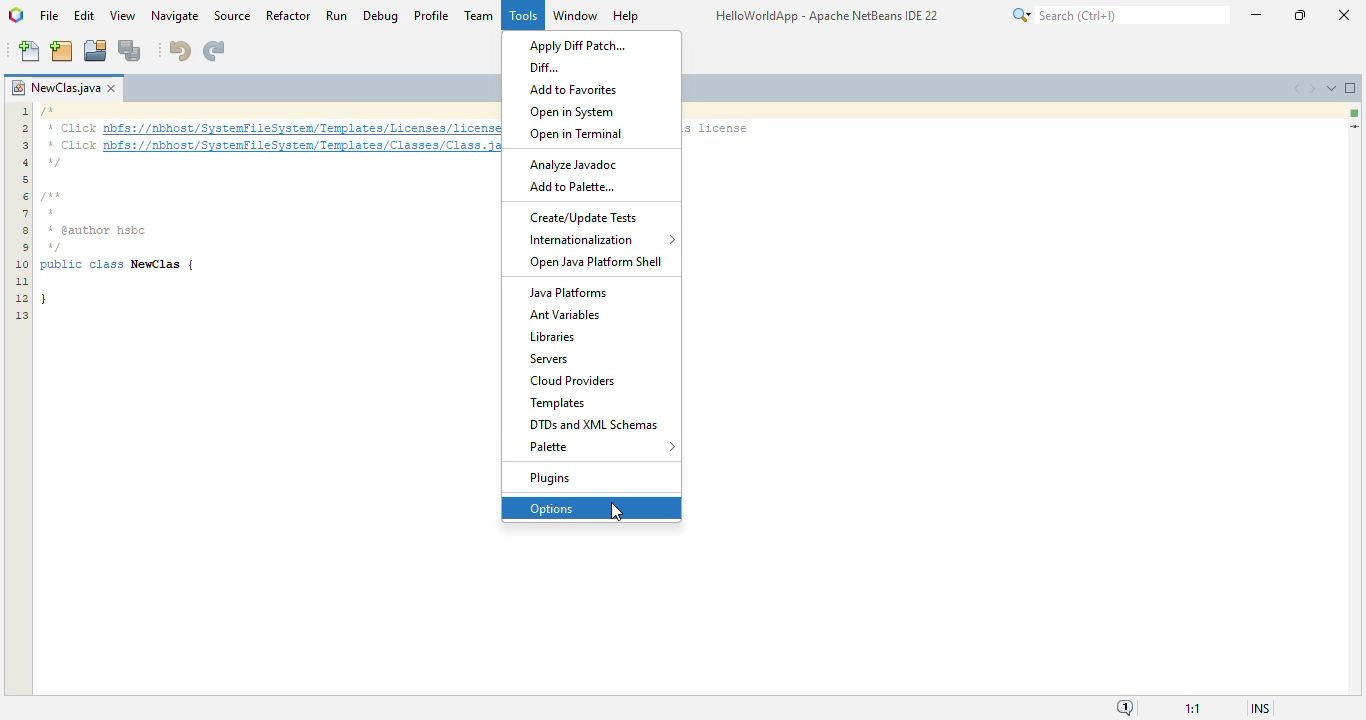 The height and width of the screenshot is (720, 1366). Describe the element at coordinates (288, 15) in the screenshot. I see `refactor` at that location.